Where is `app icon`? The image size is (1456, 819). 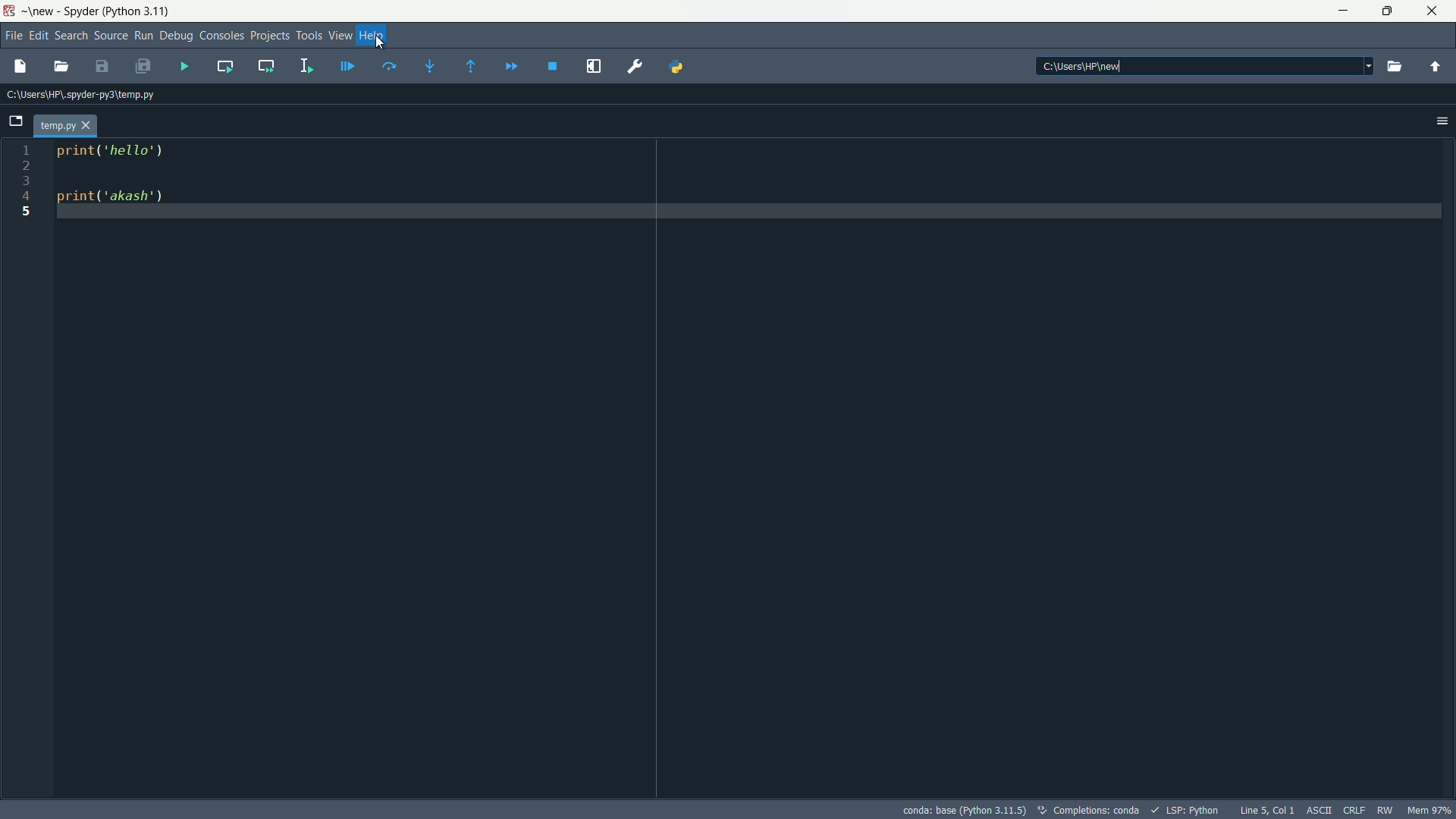 app icon is located at coordinates (12, 11).